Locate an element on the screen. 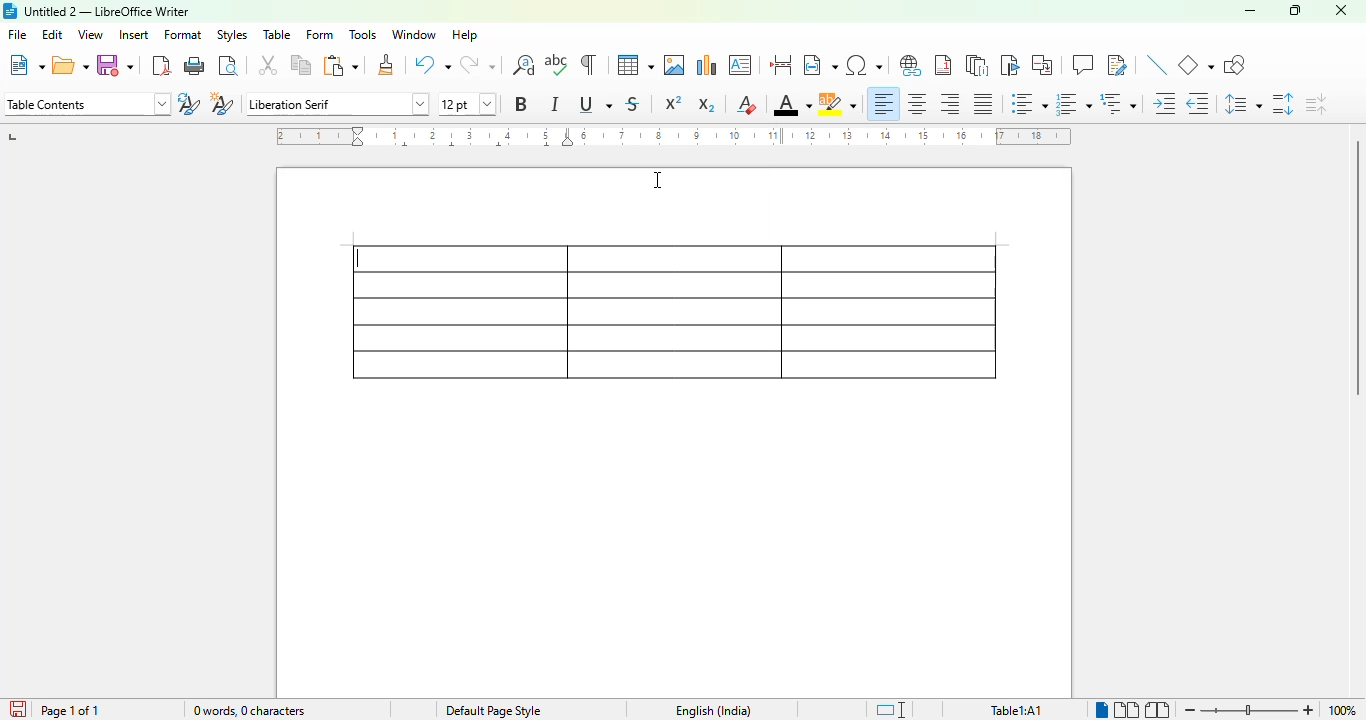 Image resolution: width=1366 pixels, height=720 pixels. underline is located at coordinates (595, 104).